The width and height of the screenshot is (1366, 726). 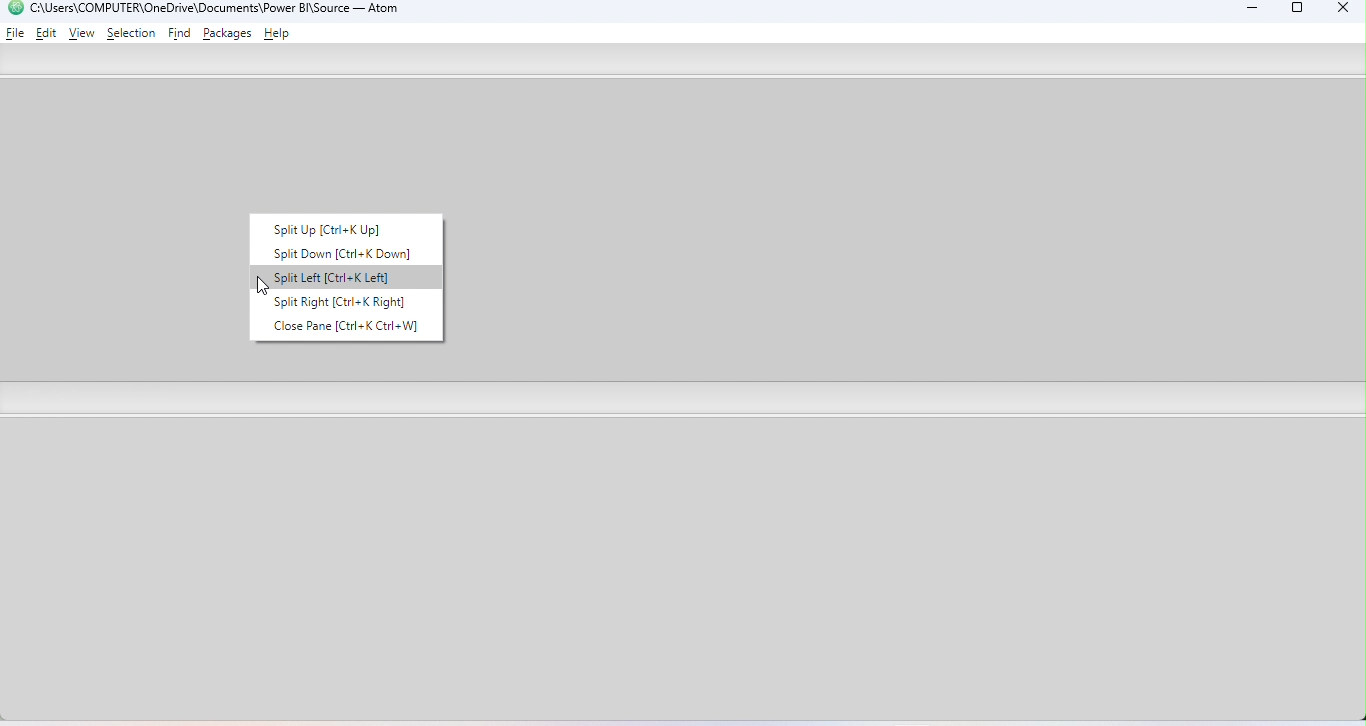 What do you see at coordinates (329, 251) in the screenshot?
I see `Split down` at bounding box center [329, 251].